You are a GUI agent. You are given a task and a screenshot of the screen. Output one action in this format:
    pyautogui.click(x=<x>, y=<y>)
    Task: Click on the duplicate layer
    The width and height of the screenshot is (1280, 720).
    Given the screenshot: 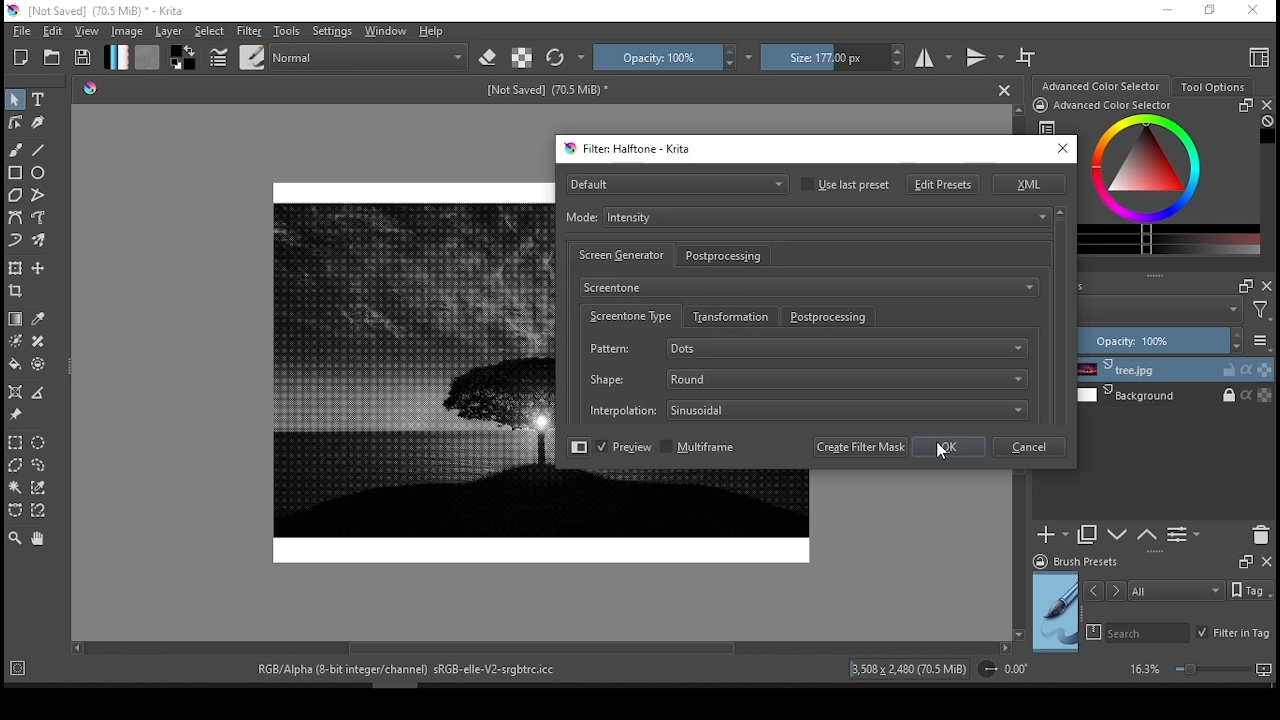 What is the action you would take?
    pyautogui.click(x=1087, y=536)
    